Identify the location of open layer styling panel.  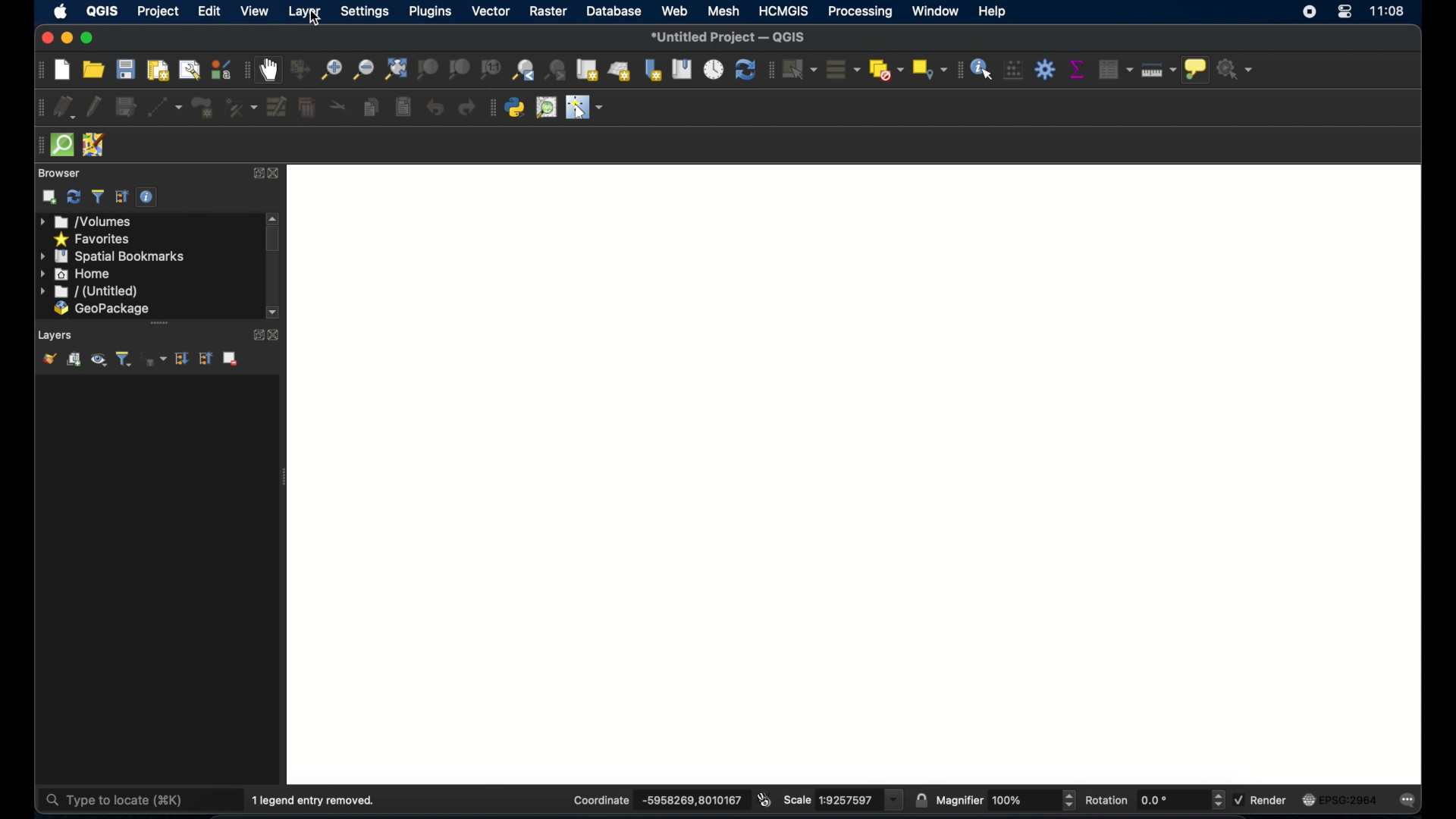
(49, 358).